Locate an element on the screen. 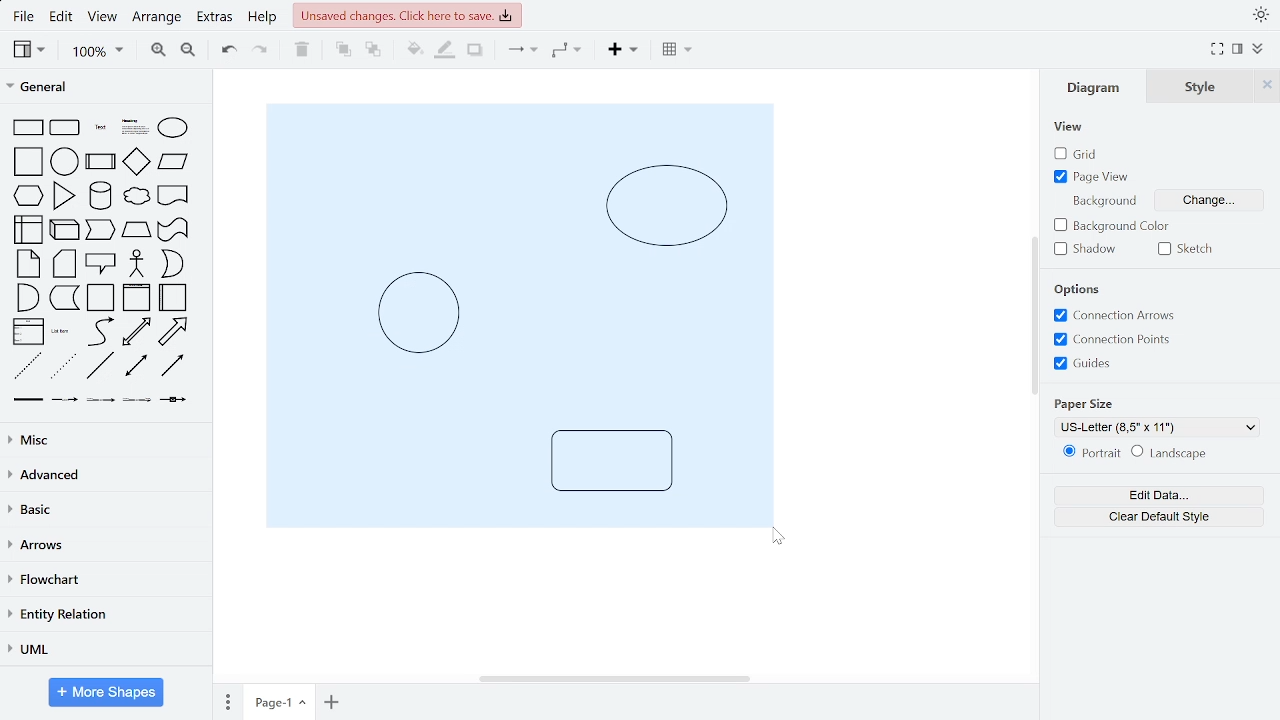 Image resolution: width=1280 pixels, height=720 pixels. appearance is located at coordinates (1258, 15).